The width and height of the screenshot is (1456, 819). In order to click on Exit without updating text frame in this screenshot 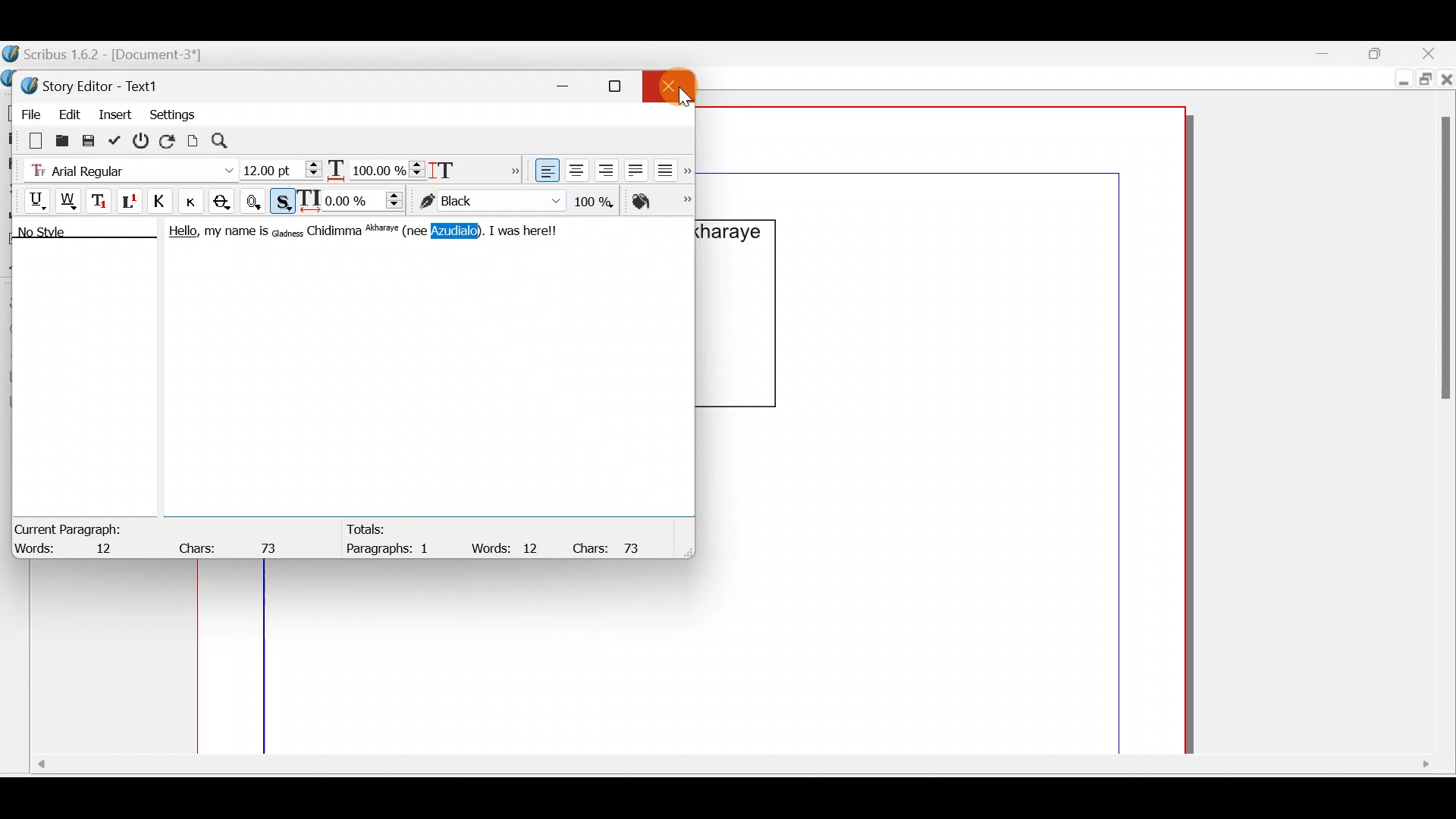, I will do `click(143, 140)`.